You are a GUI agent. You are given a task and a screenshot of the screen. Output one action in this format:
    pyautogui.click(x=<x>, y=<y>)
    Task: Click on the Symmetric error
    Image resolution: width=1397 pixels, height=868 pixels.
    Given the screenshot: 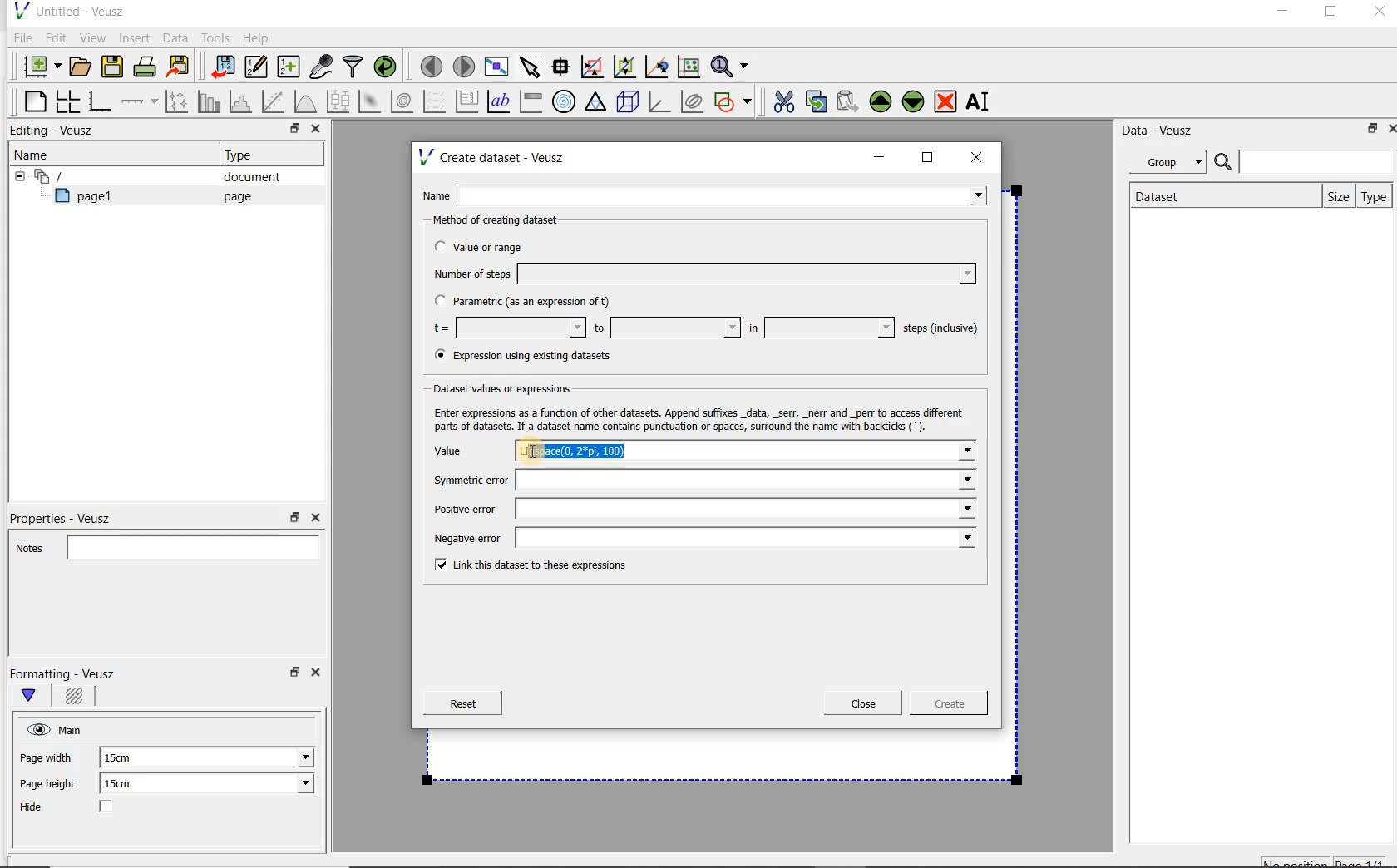 What is the action you would take?
    pyautogui.click(x=698, y=480)
    